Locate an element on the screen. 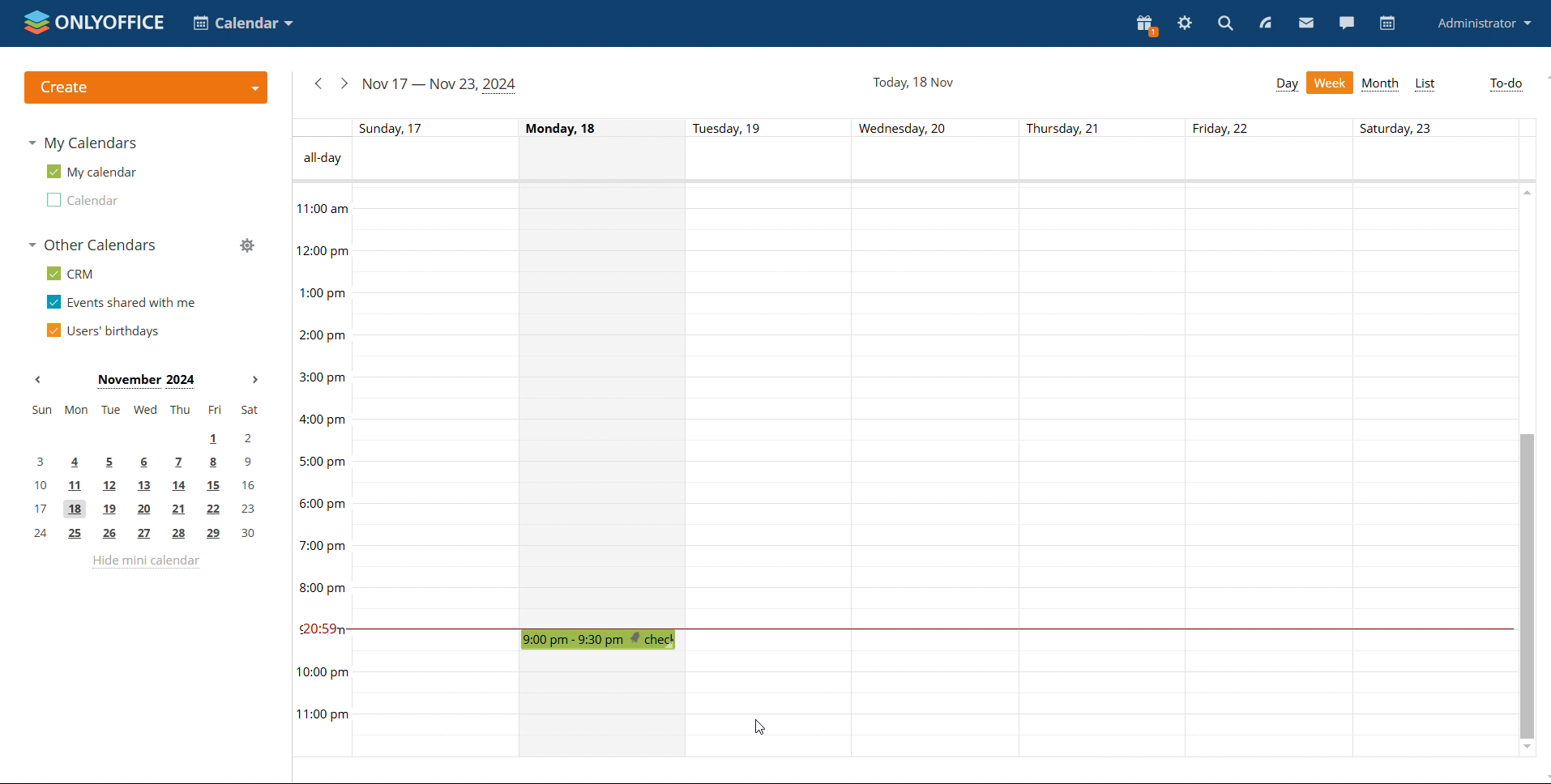 This screenshot has width=1551, height=784. current week is located at coordinates (442, 85).